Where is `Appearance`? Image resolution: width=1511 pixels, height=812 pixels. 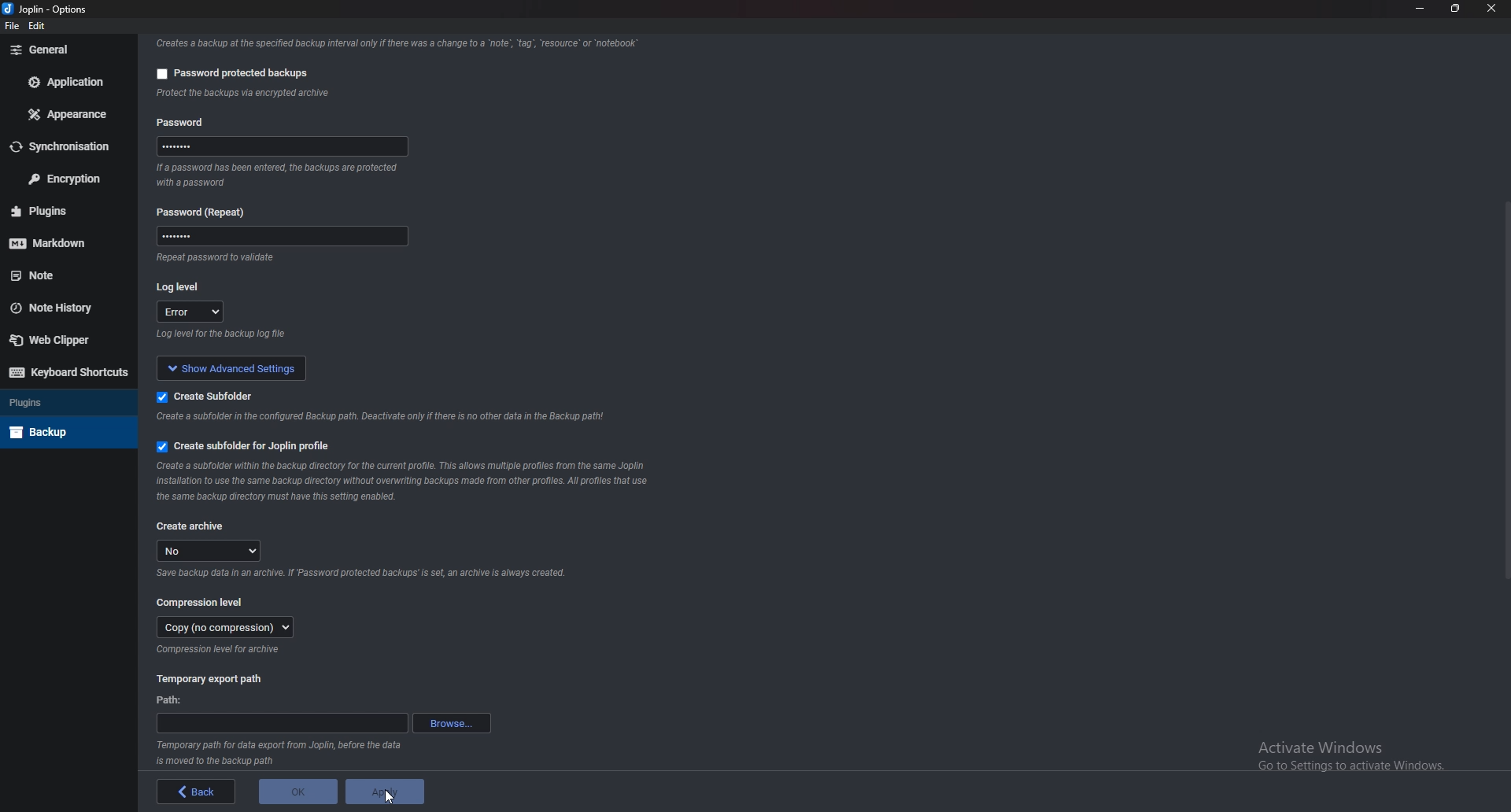 Appearance is located at coordinates (68, 116).